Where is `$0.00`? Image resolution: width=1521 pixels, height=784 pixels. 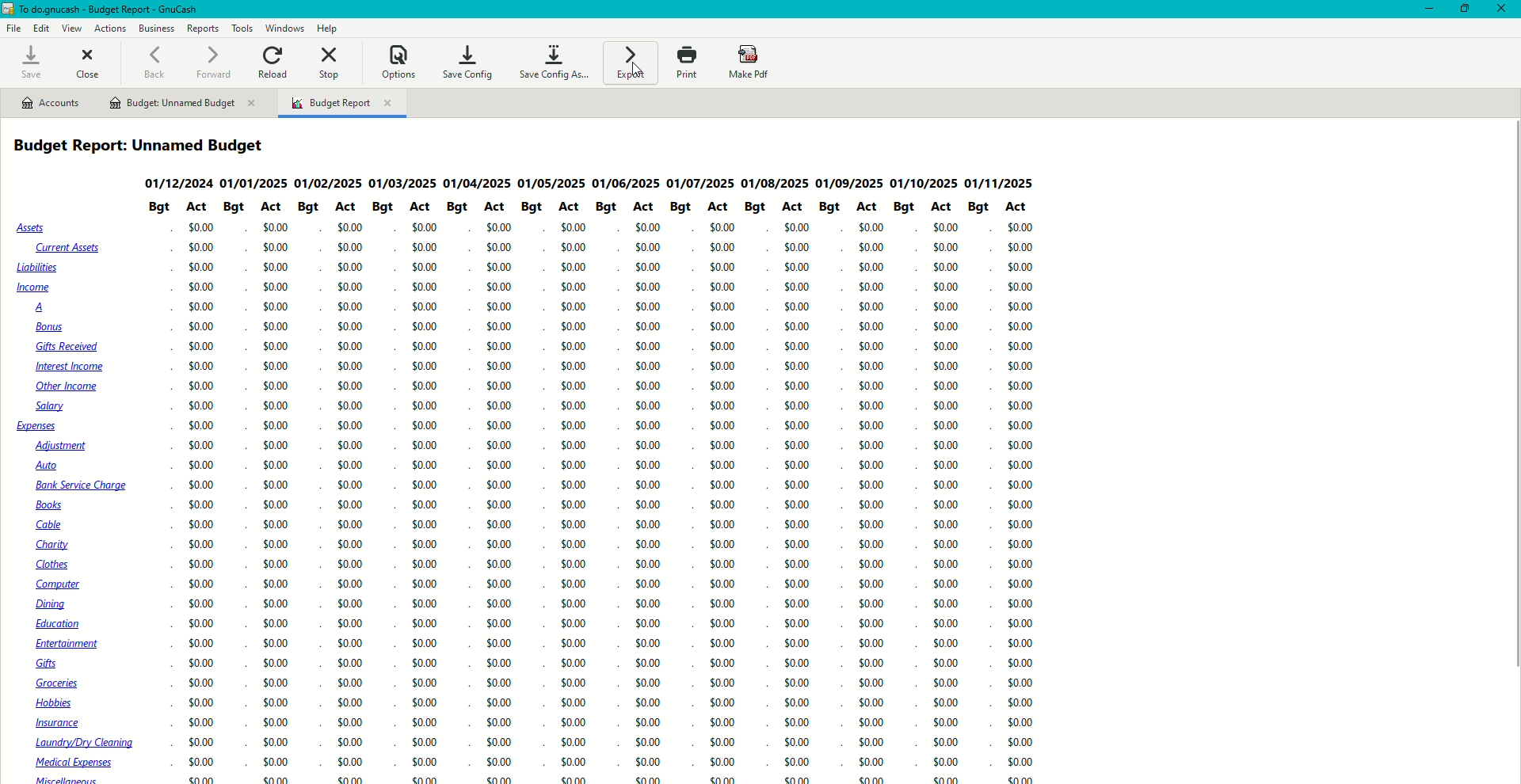
$0.00 is located at coordinates (422, 286).